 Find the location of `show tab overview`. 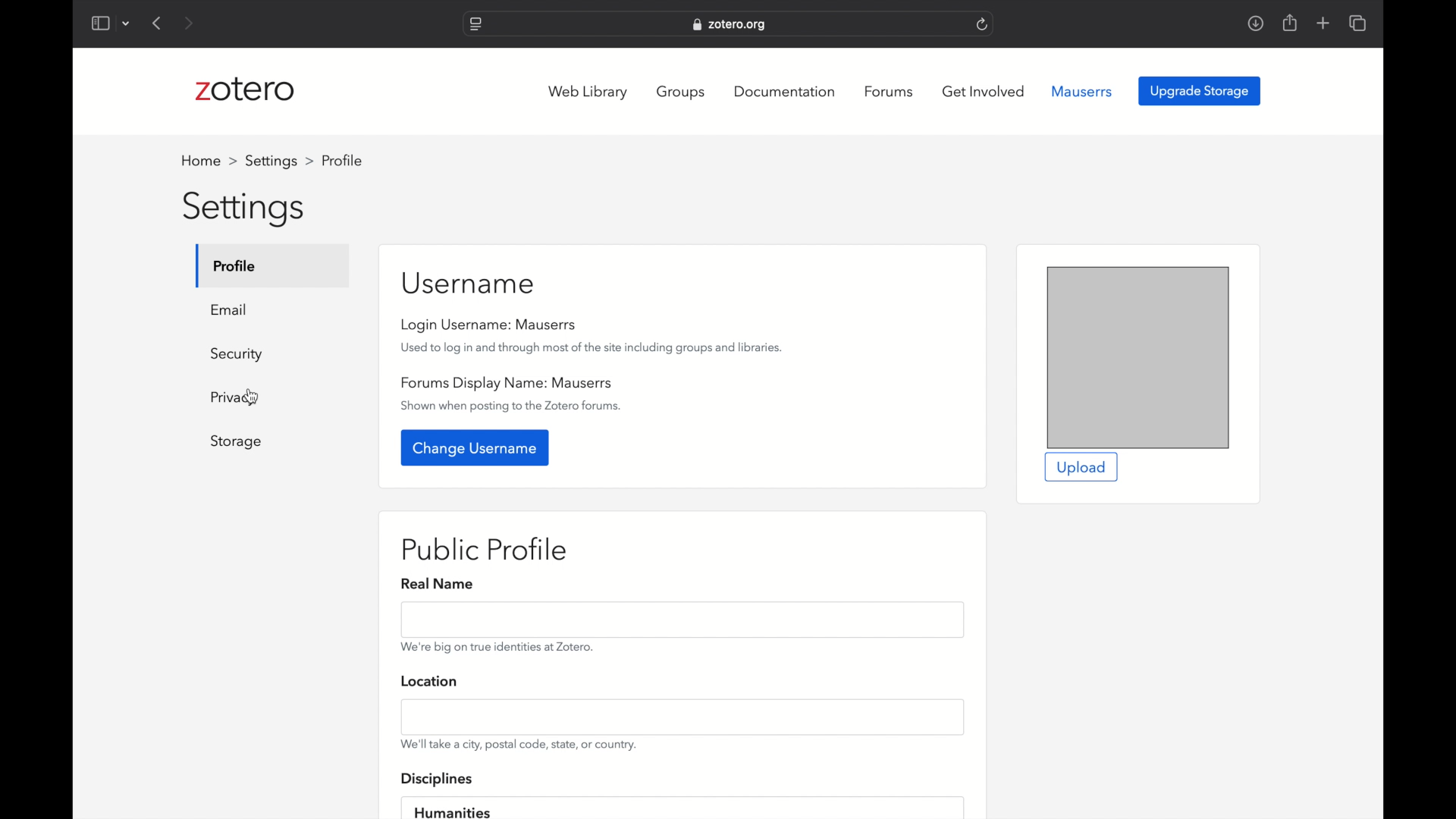

show tab overview is located at coordinates (1357, 23).